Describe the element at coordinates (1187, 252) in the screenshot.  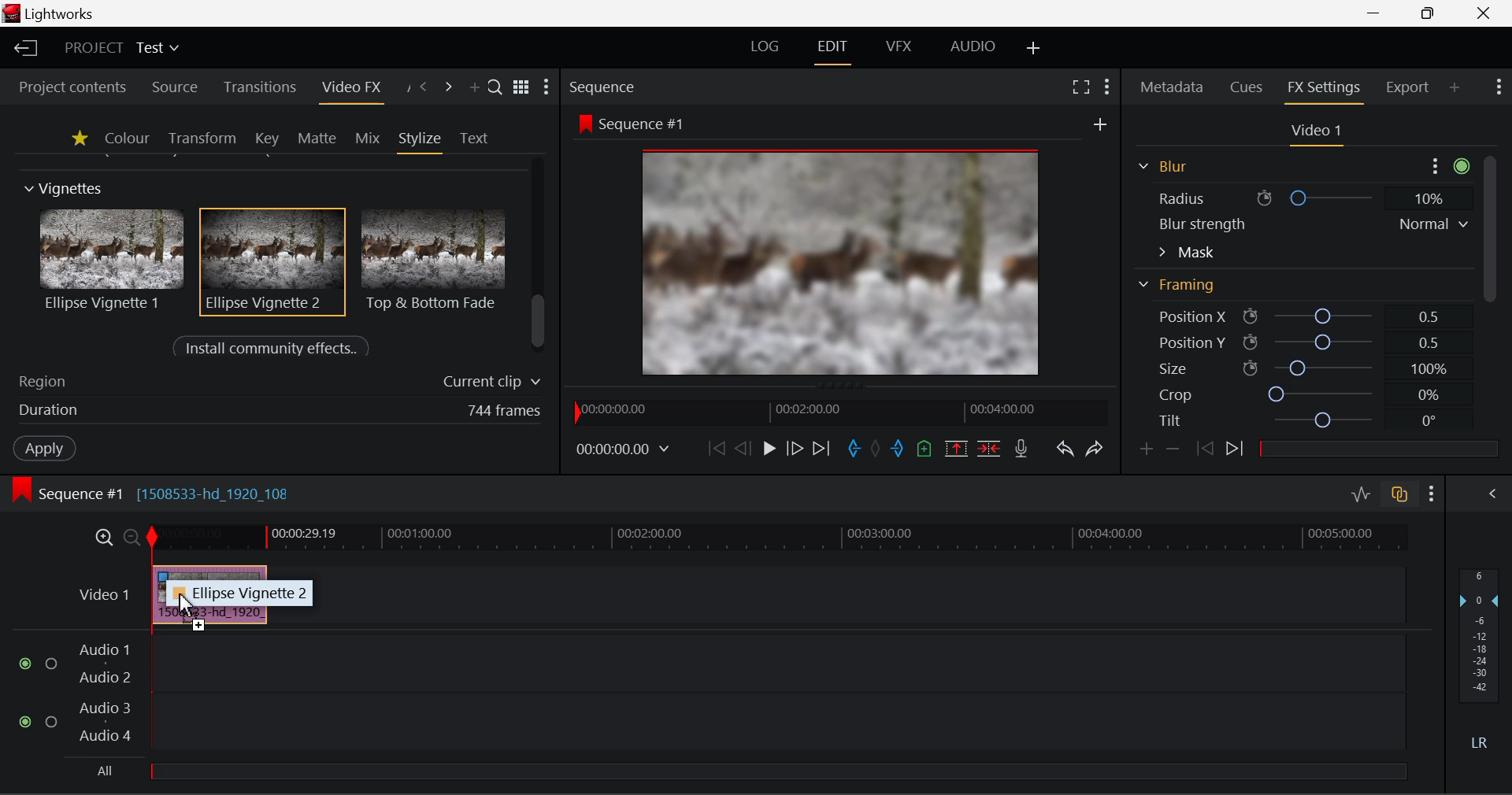
I see `Mask` at that location.